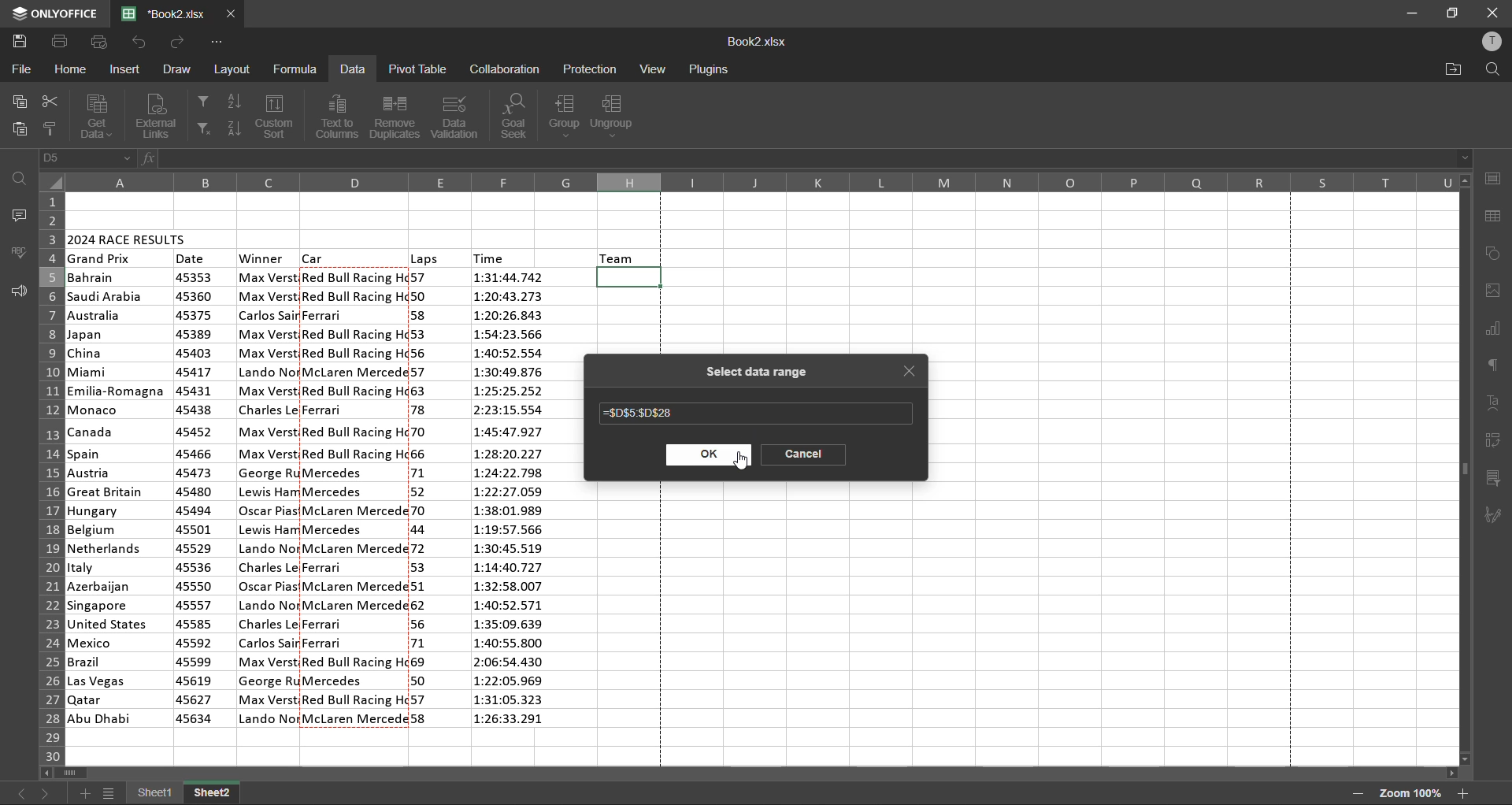 Image resolution: width=1512 pixels, height=805 pixels. I want to click on layout, so click(235, 70).